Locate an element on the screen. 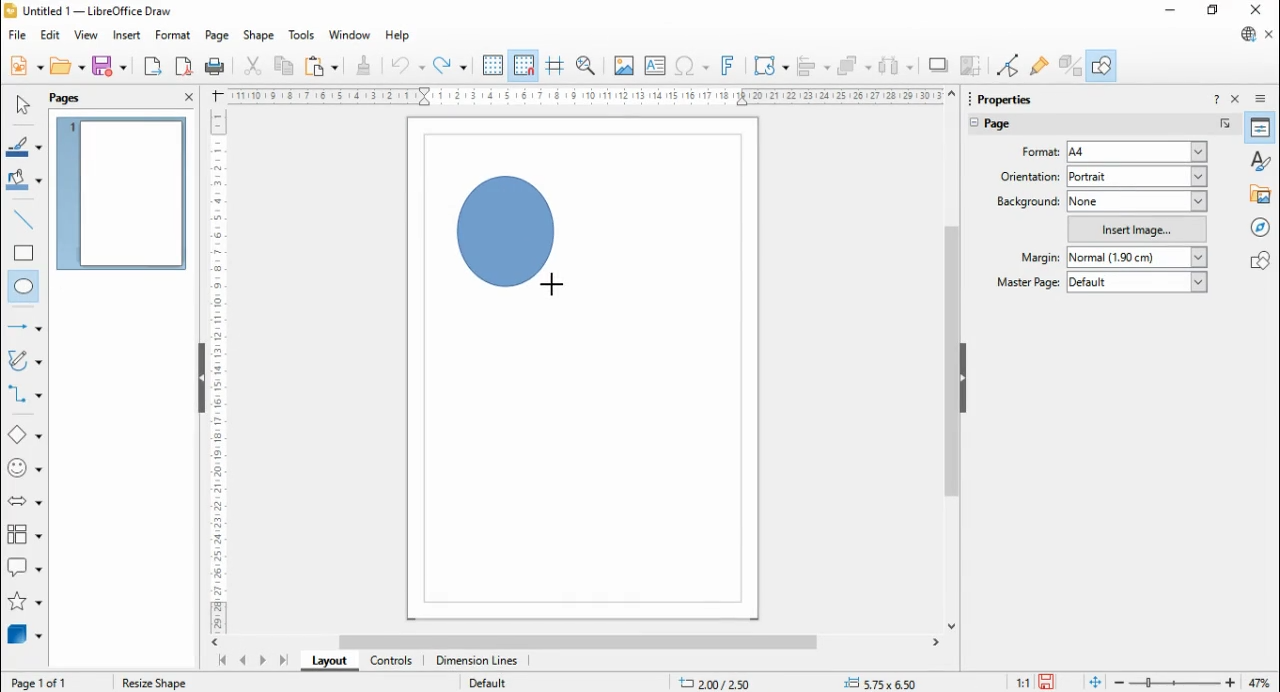 The image size is (1280, 692). tools is located at coordinates (303, 36).